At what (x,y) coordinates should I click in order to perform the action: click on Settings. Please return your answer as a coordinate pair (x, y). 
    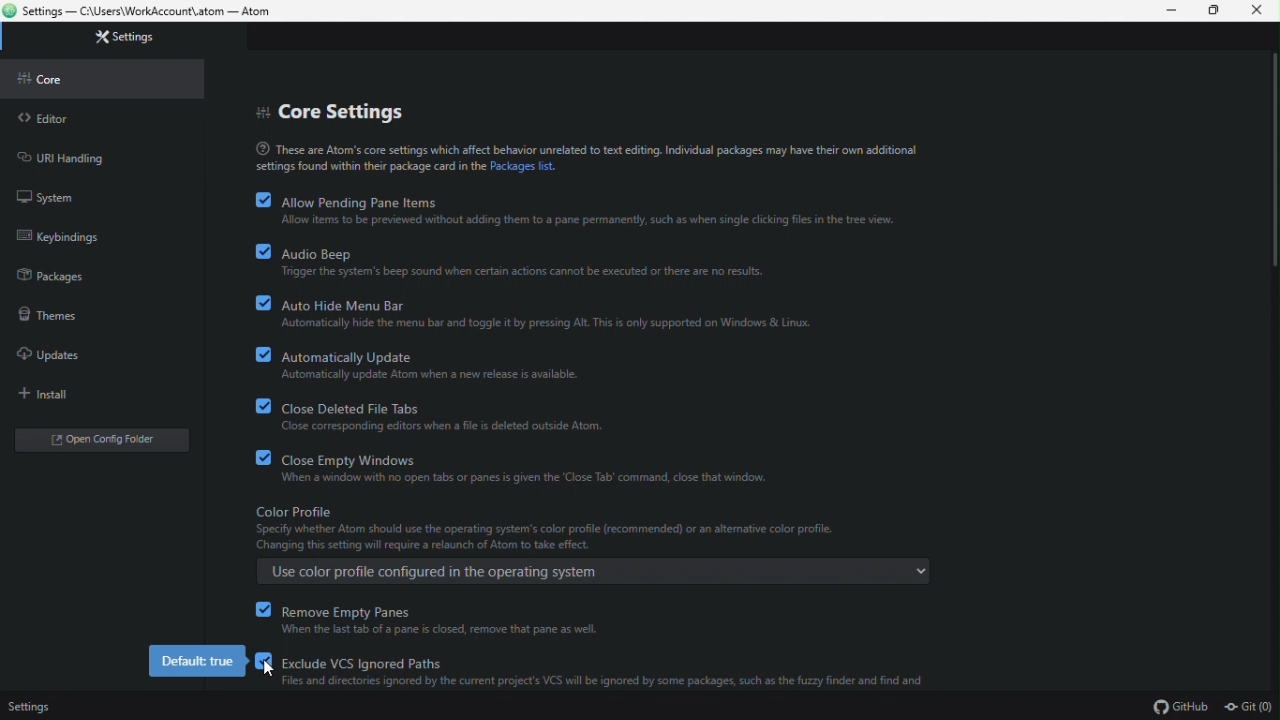
    Looking at the image, I should click on (122, 38).